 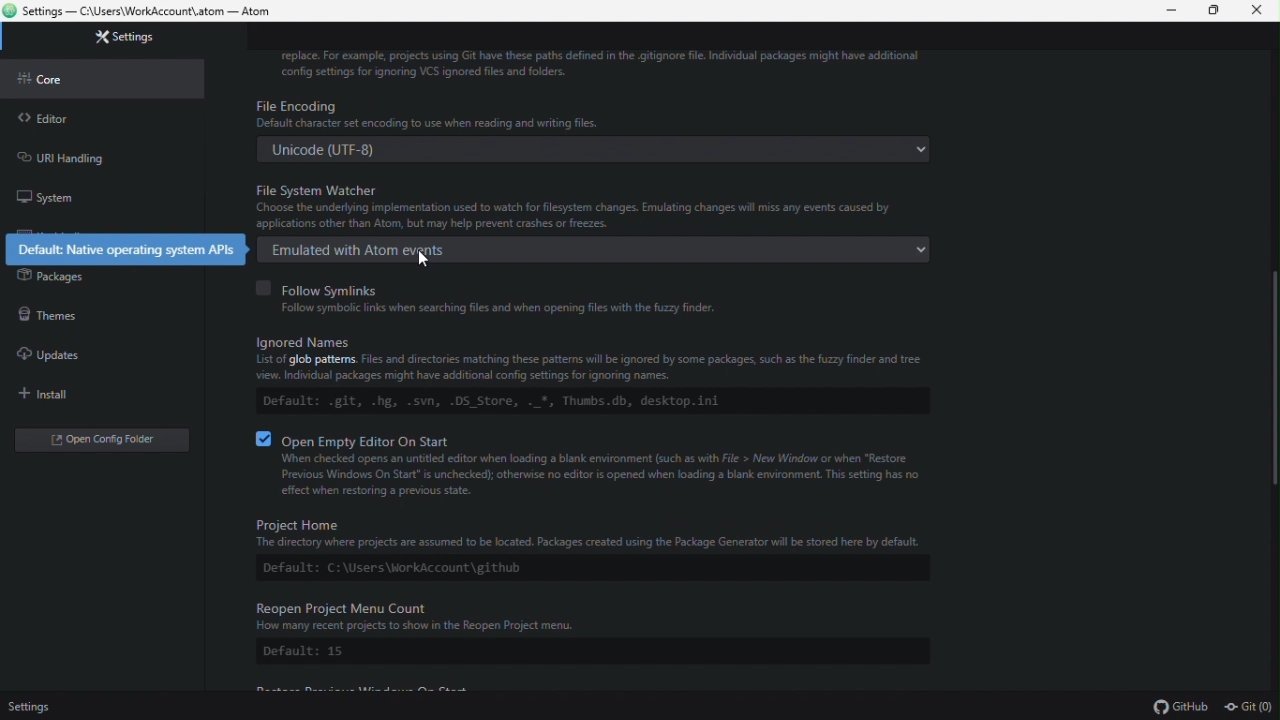 I want to click on Unicode (UTF-8), so click(x=584, y=152).